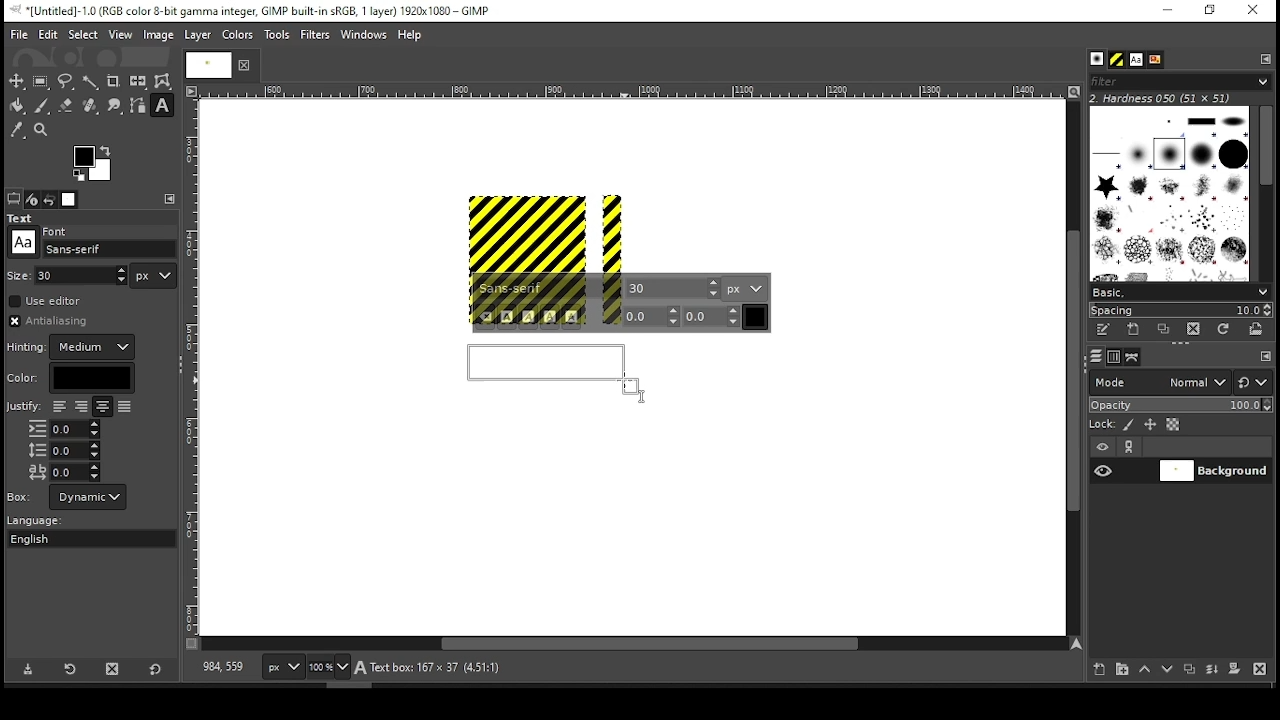 The width and height of the screenshot is (1280, 720). What do you see at coordinates (652, 316) in the screenshot?
I see `change baseline of selected text` at bounding box center [652, 316].